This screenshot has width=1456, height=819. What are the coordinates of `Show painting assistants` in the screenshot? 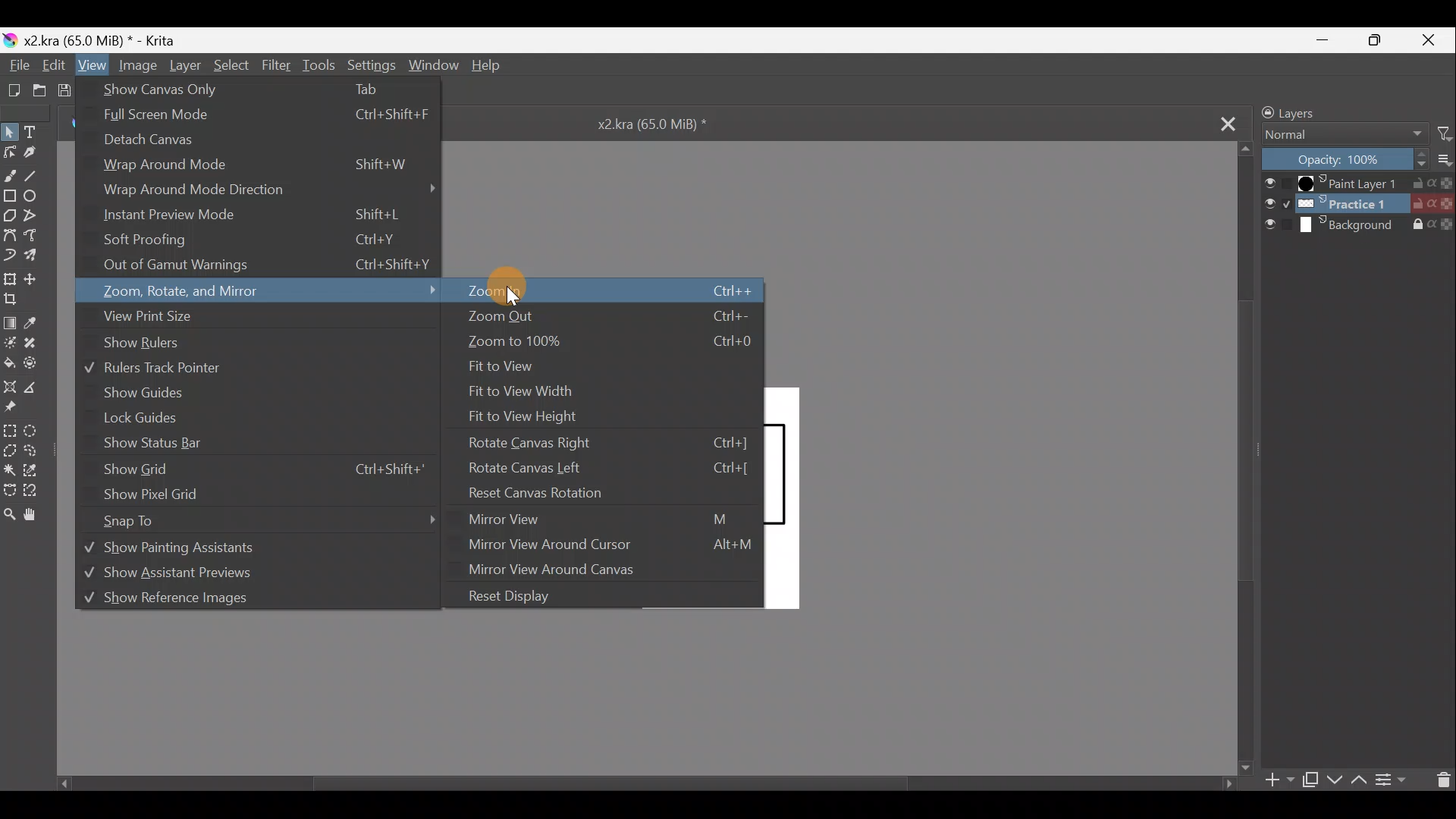 It's located at (209, 551).